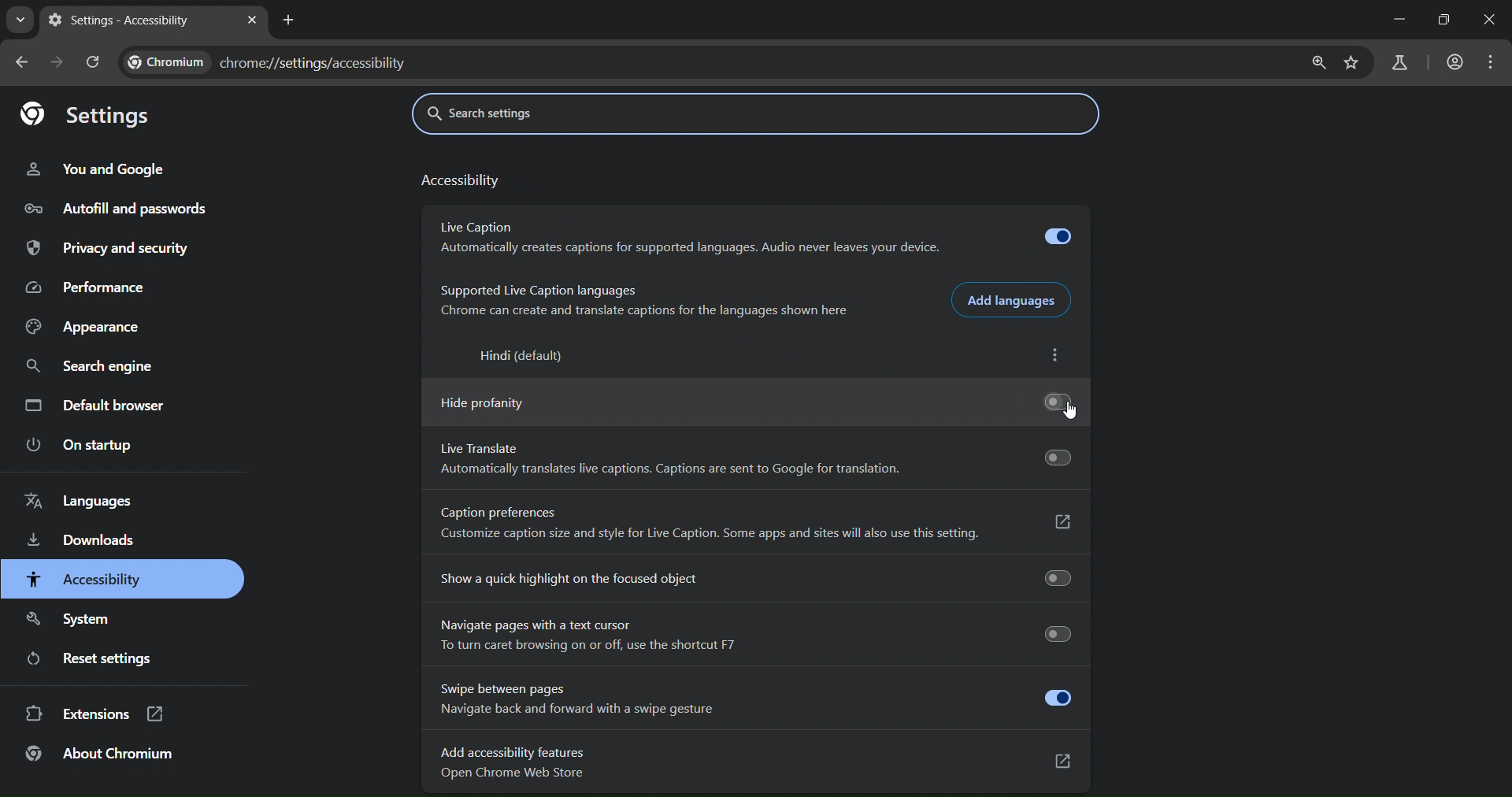 This screenshot has width=1512, height=797. What do you see at coordinates (86, 580) in the screenshot?
I see `accessibility` at bounding box center [86, 580].